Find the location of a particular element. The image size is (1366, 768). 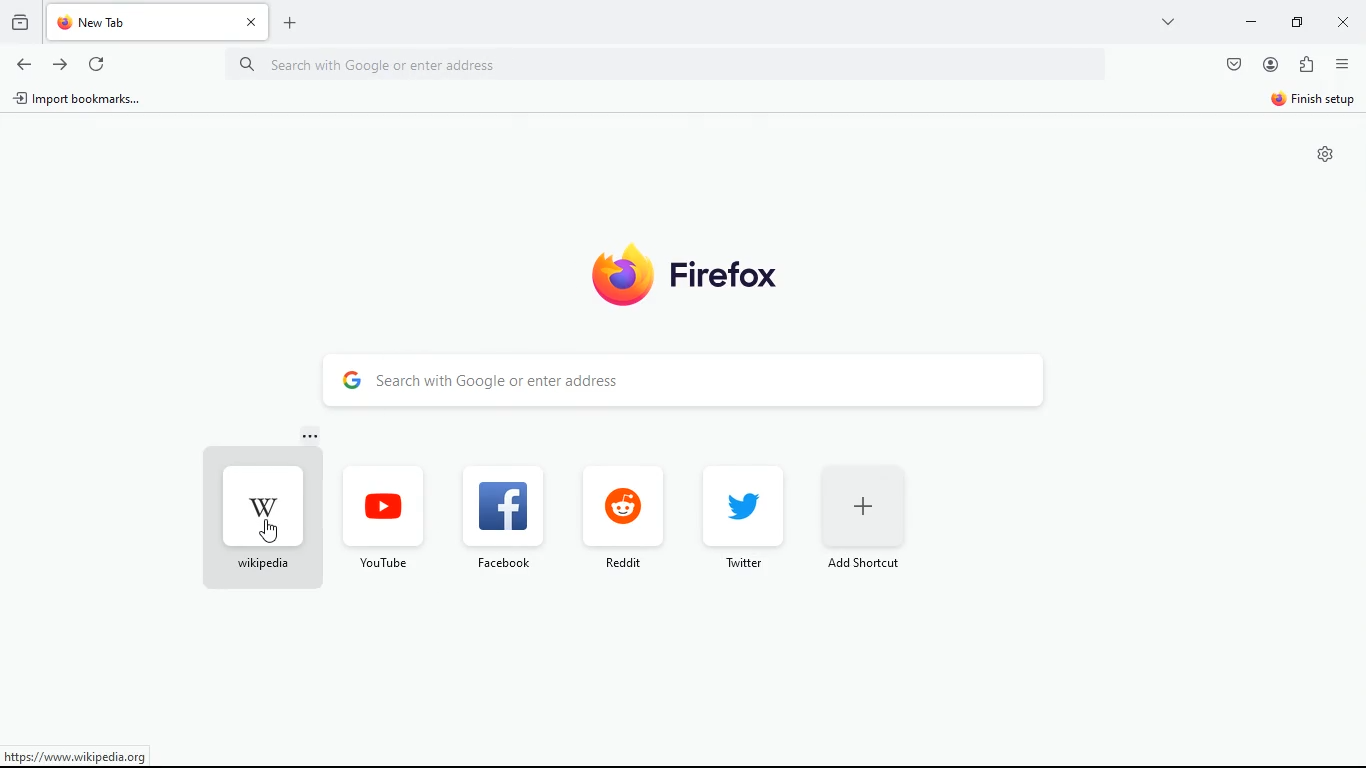

refresh is located at coordinates (96, 66).